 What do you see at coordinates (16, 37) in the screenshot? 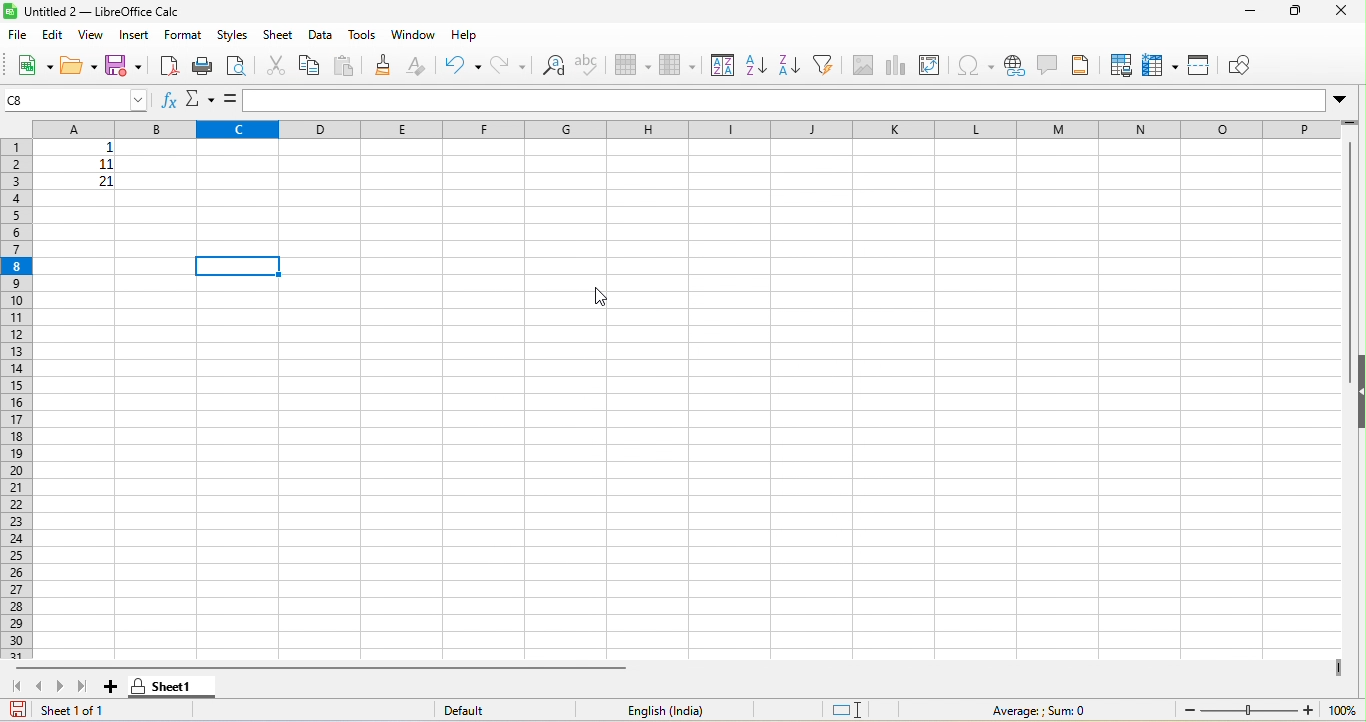
I see `file` at bounding box center [16, 37].